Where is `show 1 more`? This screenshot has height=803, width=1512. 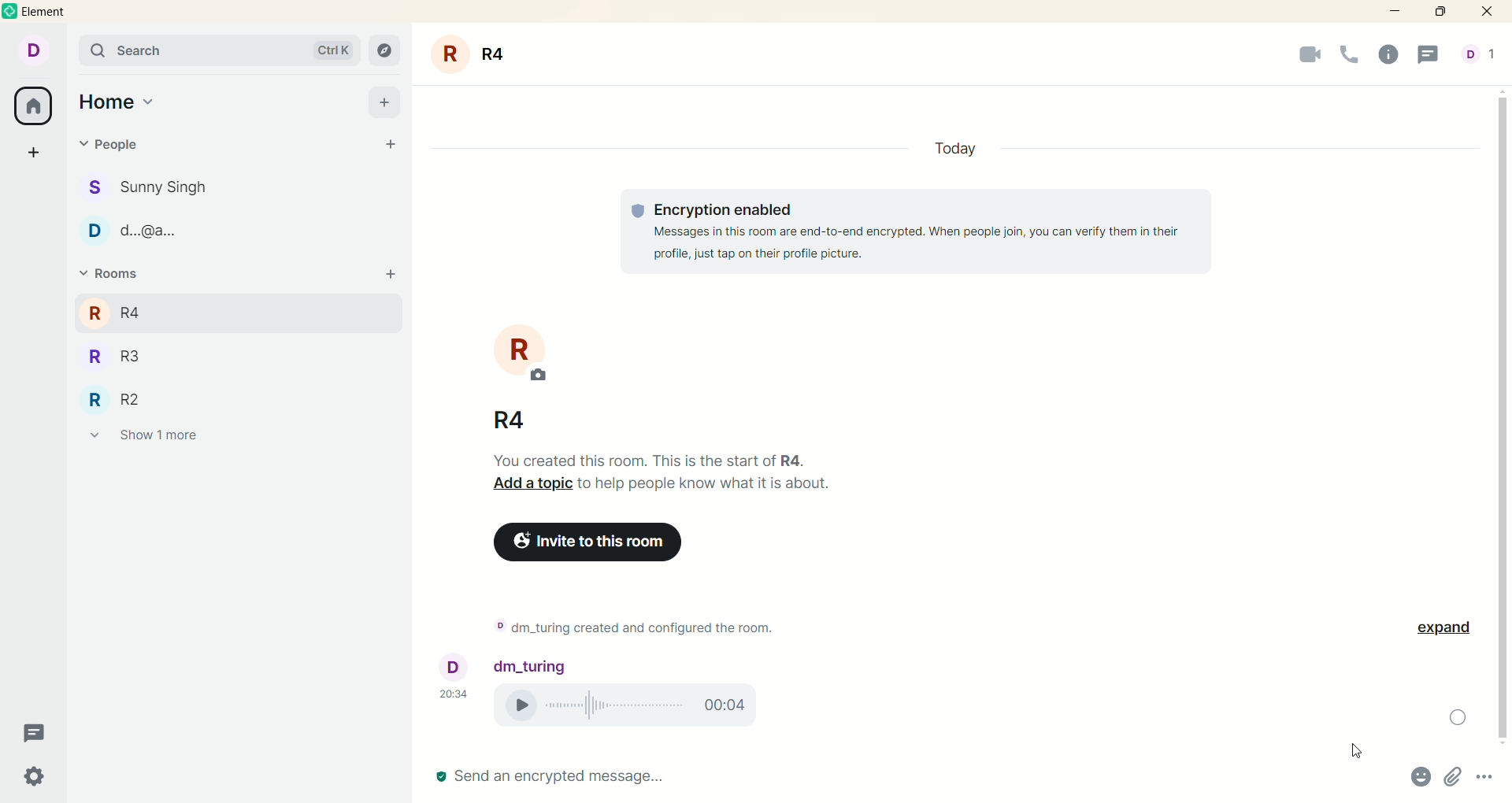 show 1 more is located at coordinates (144, 439).